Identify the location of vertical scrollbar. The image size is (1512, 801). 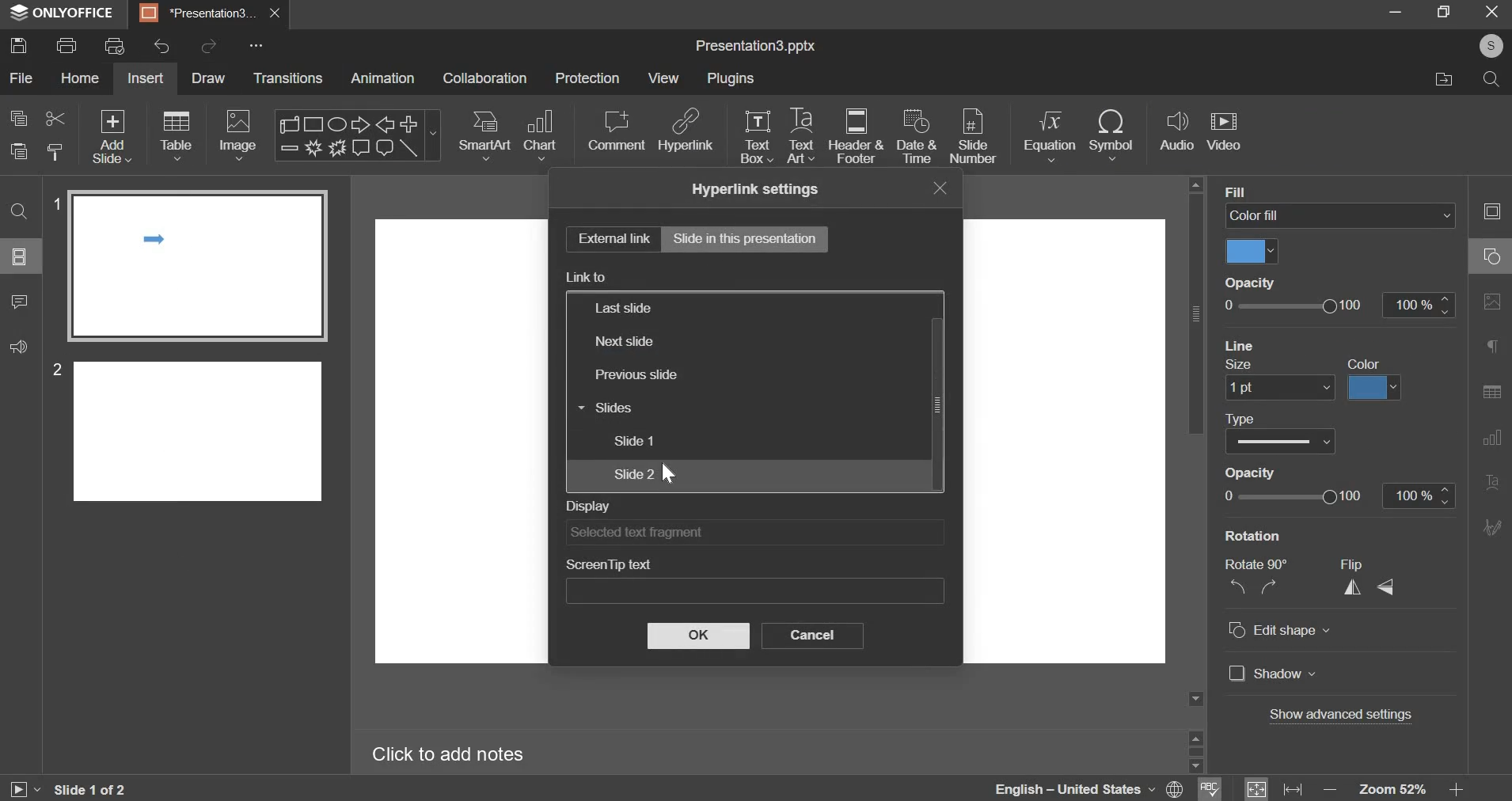
(1195, 313).